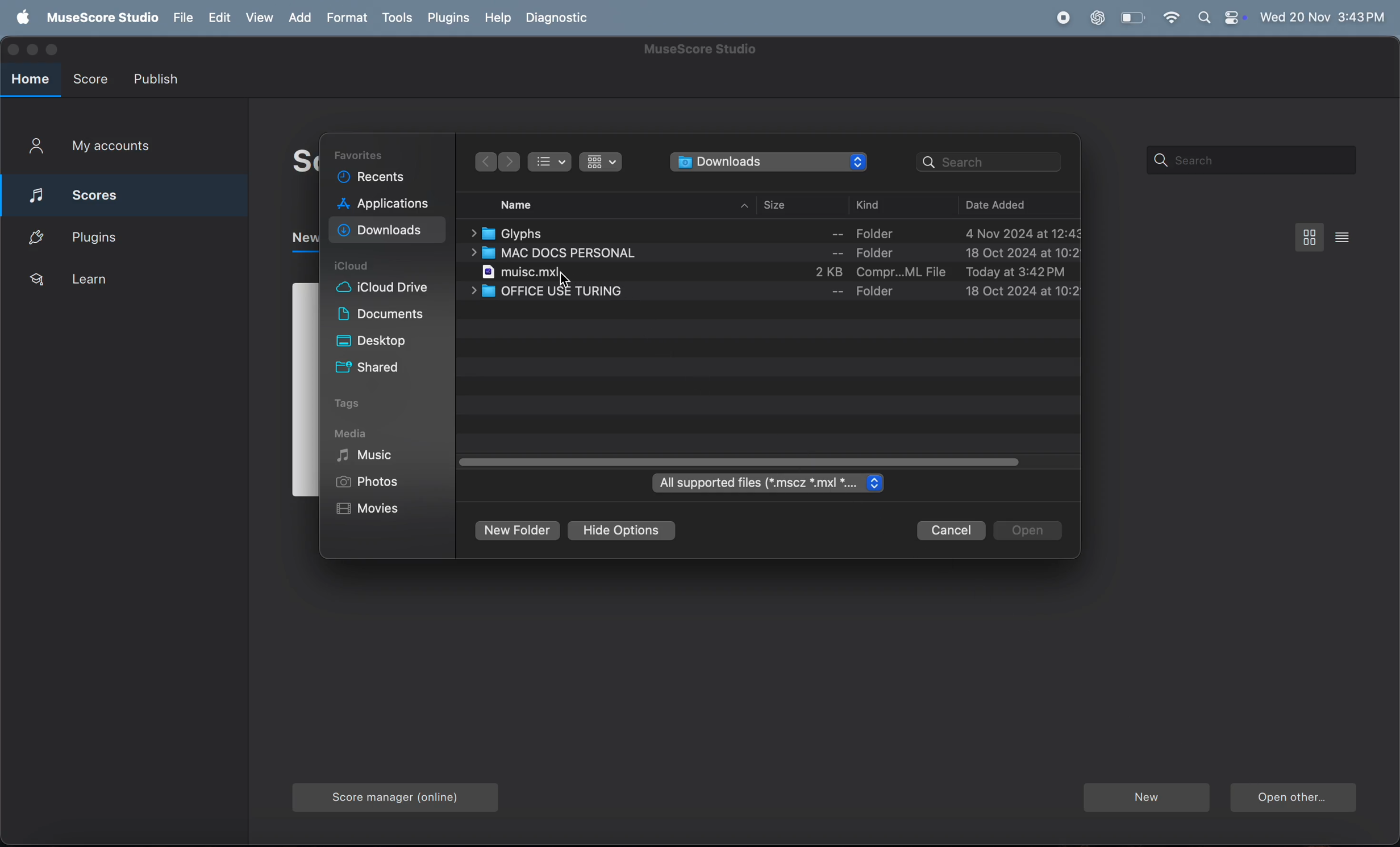 This screenshot has width=1400, height=847. What do you see at coordinates (372, 177) in the screenshot?
I see `recent` at bounding box center [372, 177].